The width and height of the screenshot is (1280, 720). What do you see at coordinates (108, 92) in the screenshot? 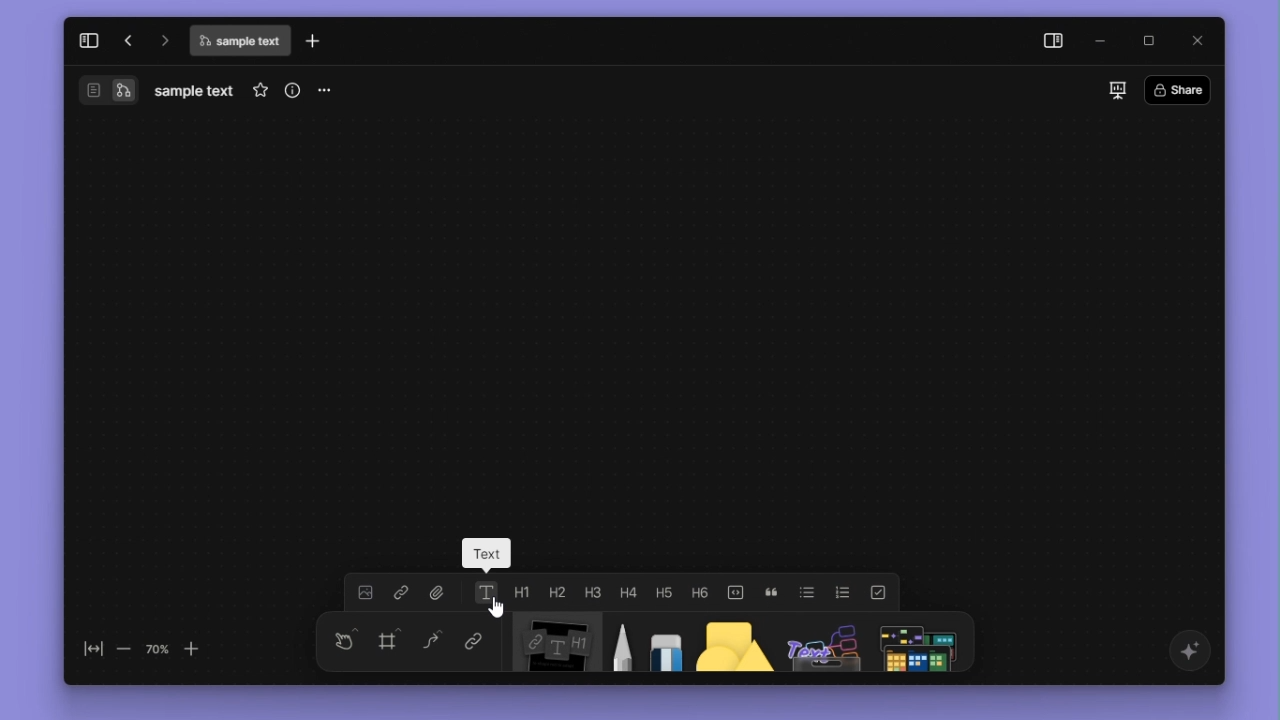
I see `switch between page and edgeless` at bounding box center [108, 92].